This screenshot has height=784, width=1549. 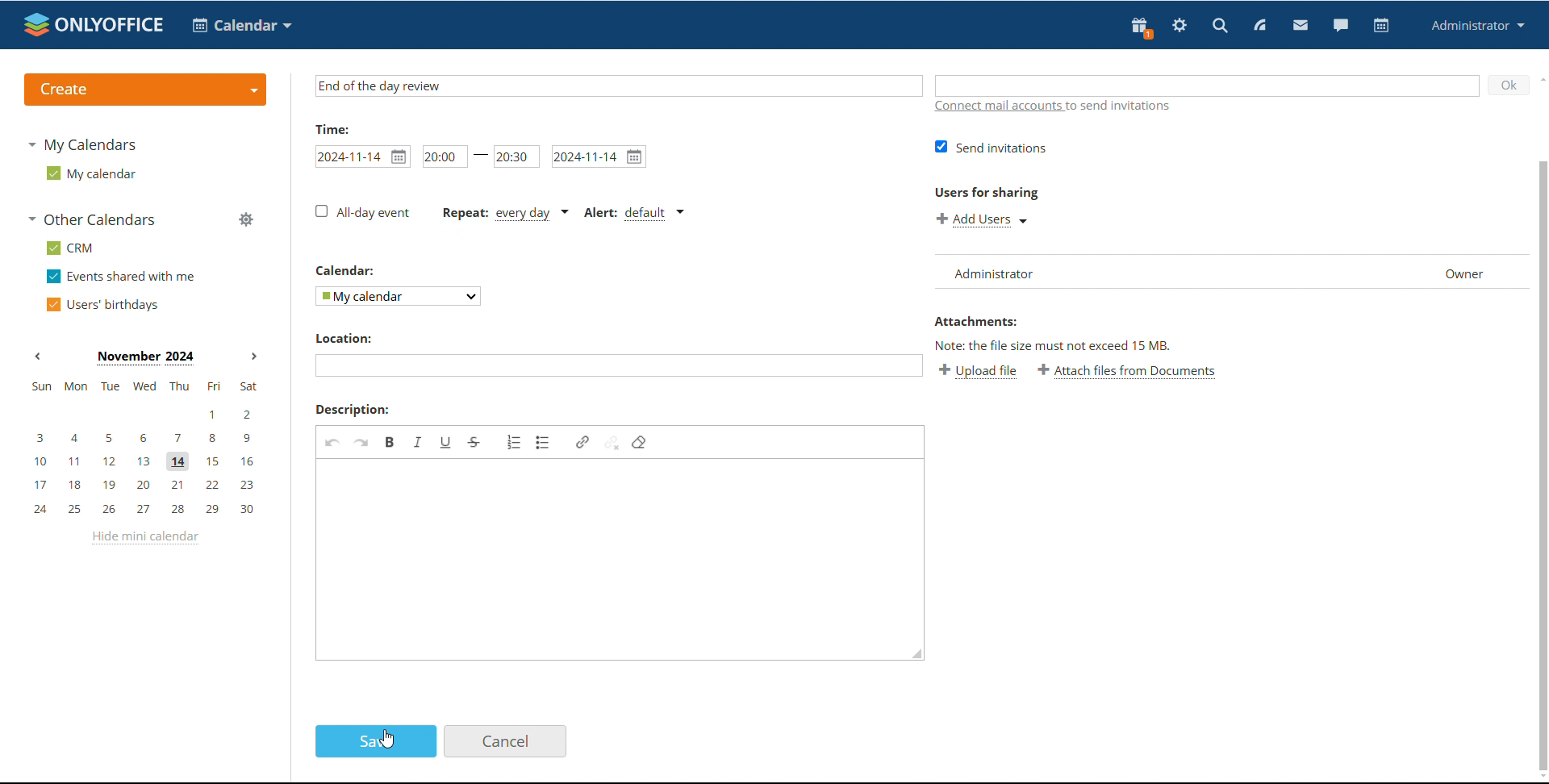 I want to click on Strike through, so click(x=475, y=442).